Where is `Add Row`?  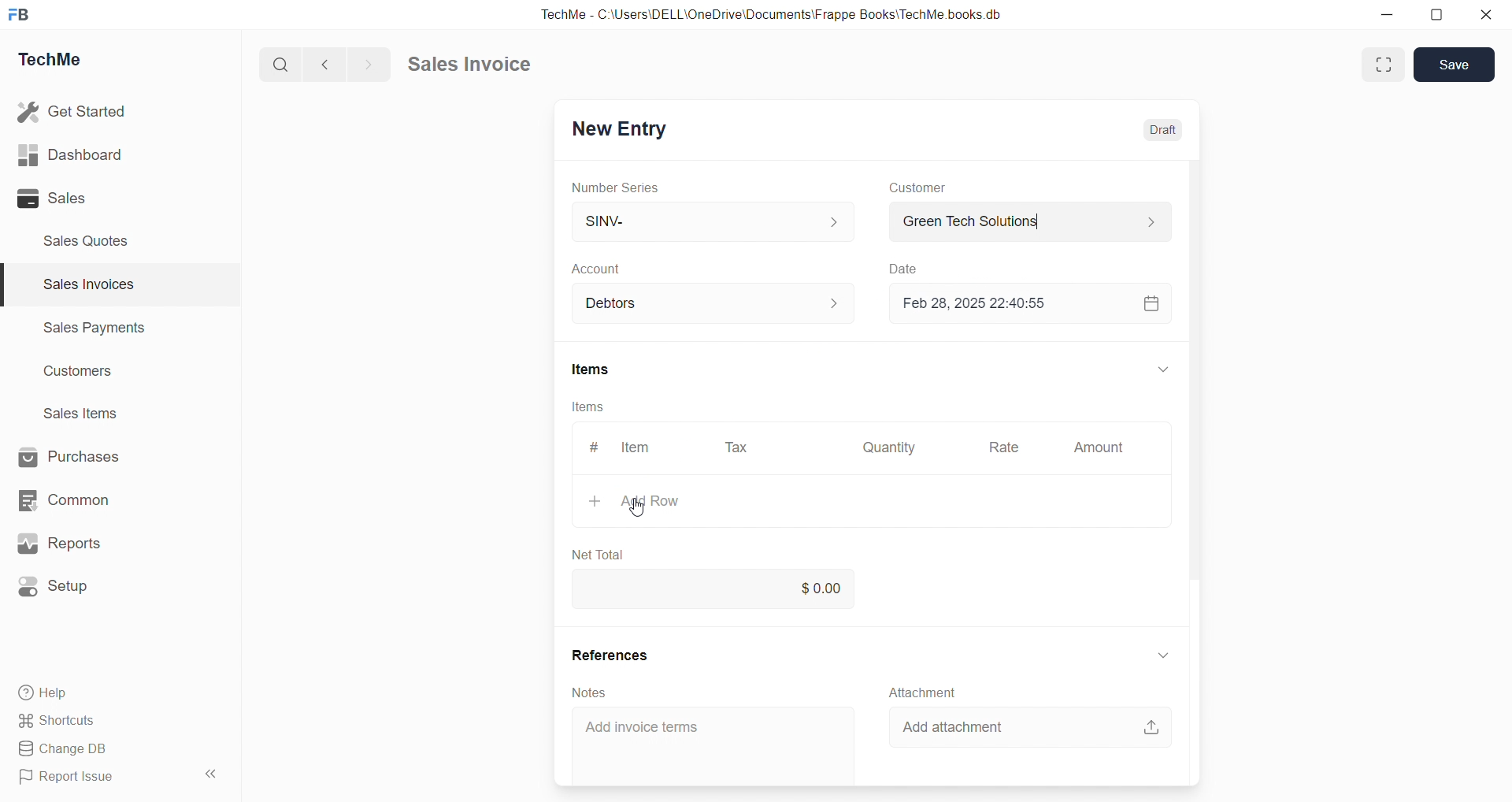 Add Row is located at coordinates (635, 500).